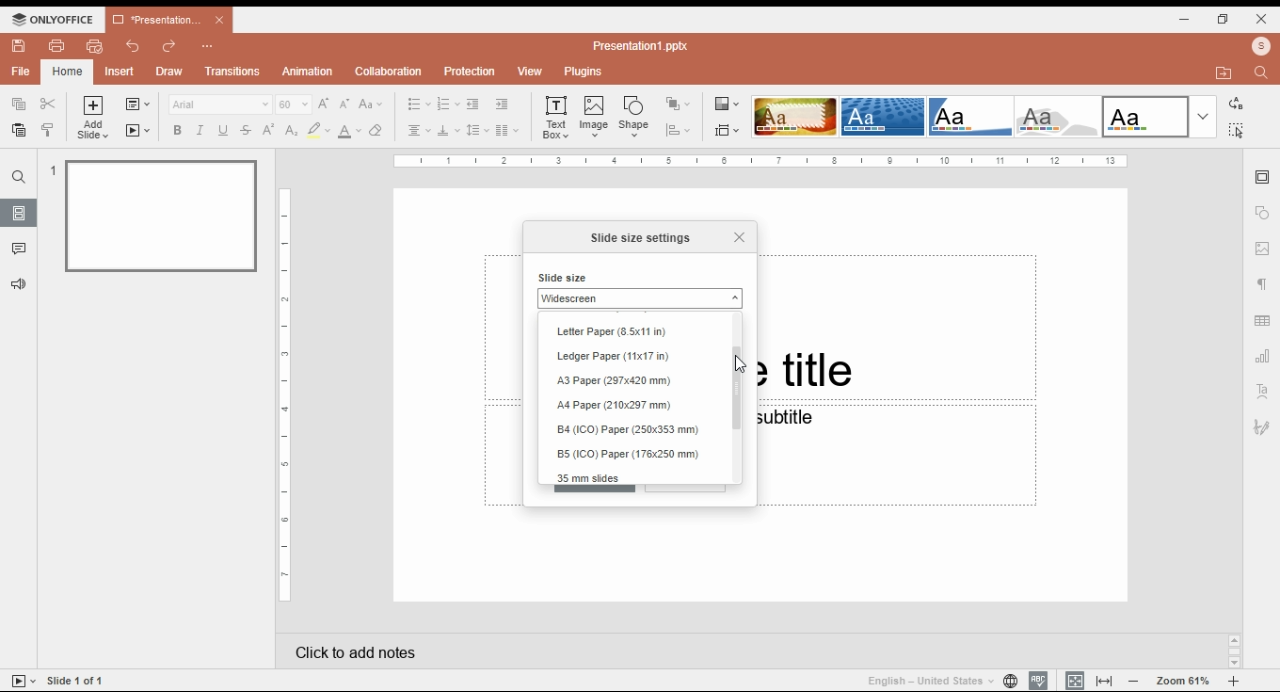 Image resolution: width=1280 pixels, height=692 pixels. What do you see at coordinates (19, 212) in the screenshot?
I see `slides` at bounding box center [19, 212].